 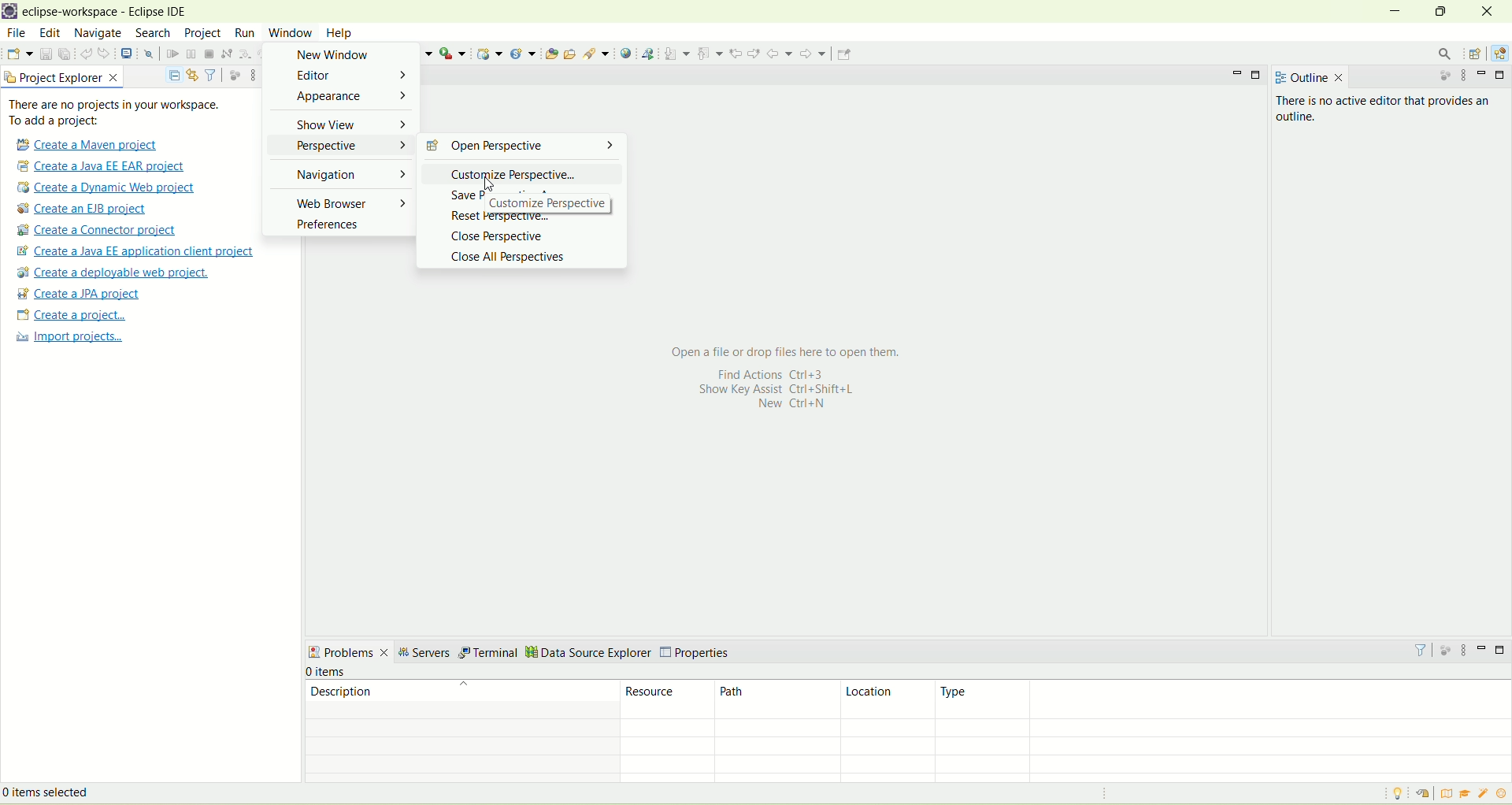 What do you see at coordinates (65, 54) in the screenshot?
I see `save all` at bounding box center [65, 54].